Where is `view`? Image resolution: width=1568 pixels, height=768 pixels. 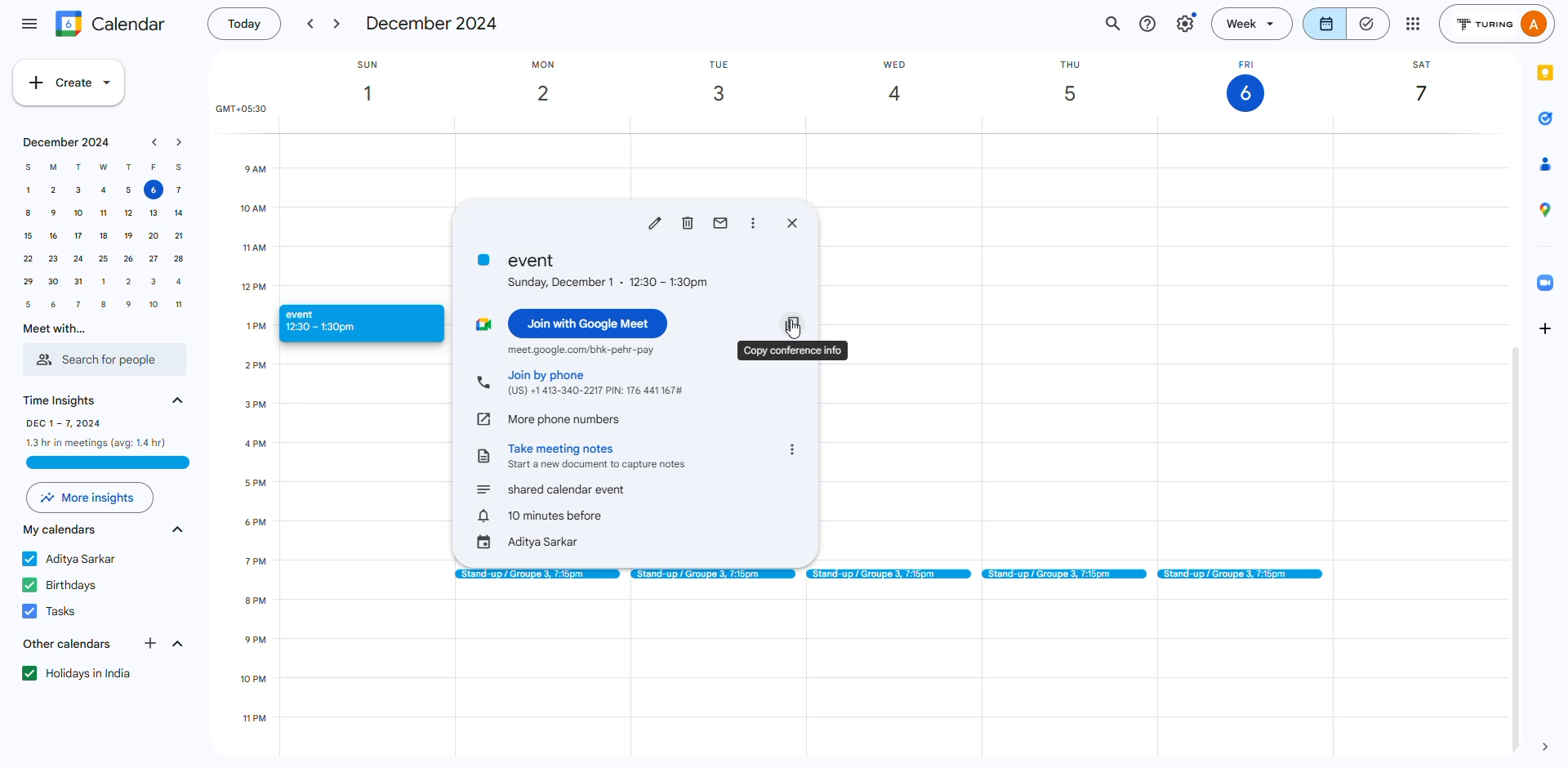 view is located at coordinates (1347, 23).